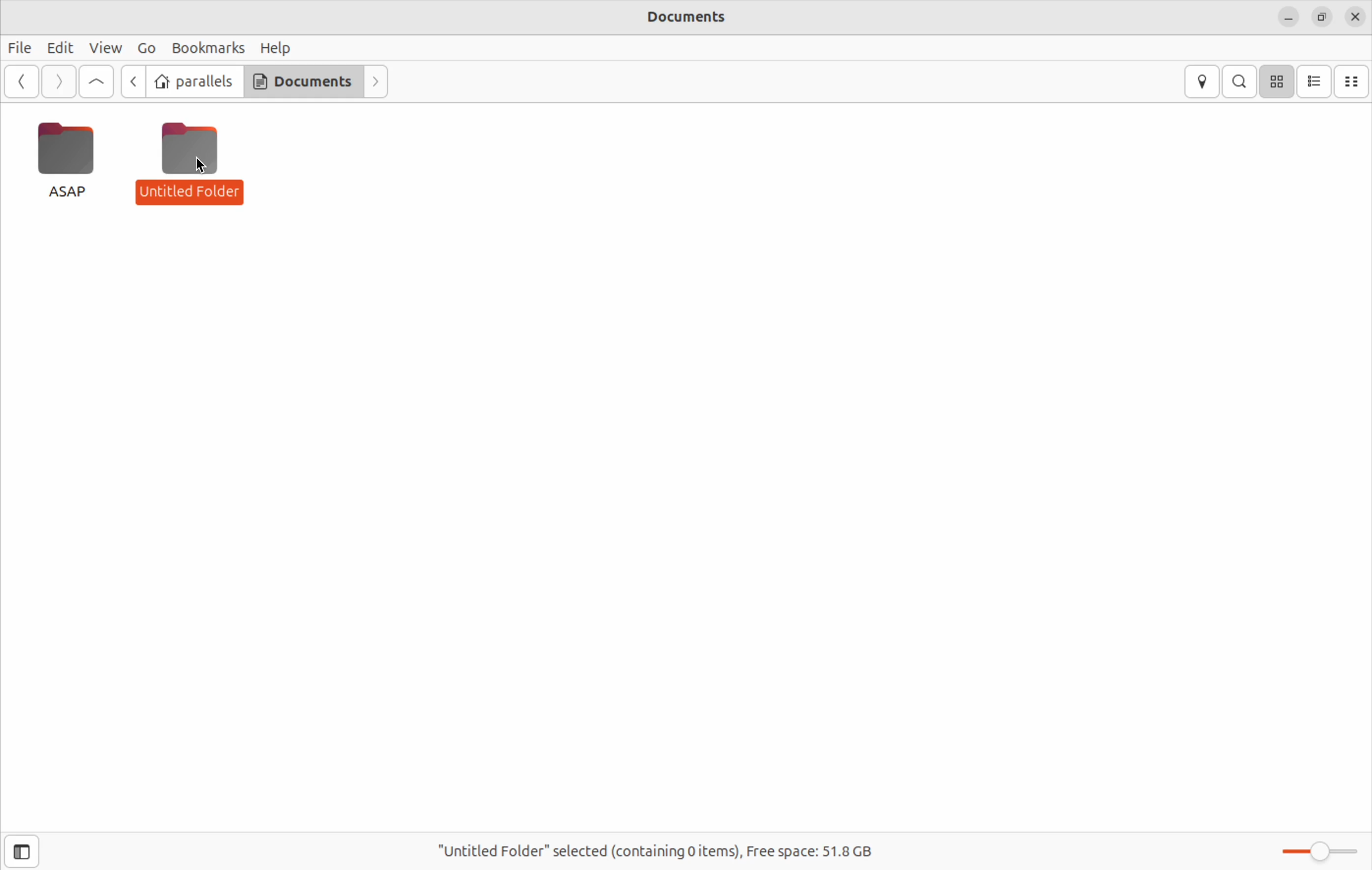  What do you see at coordinates (21, 83) in the screenshot?
I see `back` at bounding box center [21, 83].